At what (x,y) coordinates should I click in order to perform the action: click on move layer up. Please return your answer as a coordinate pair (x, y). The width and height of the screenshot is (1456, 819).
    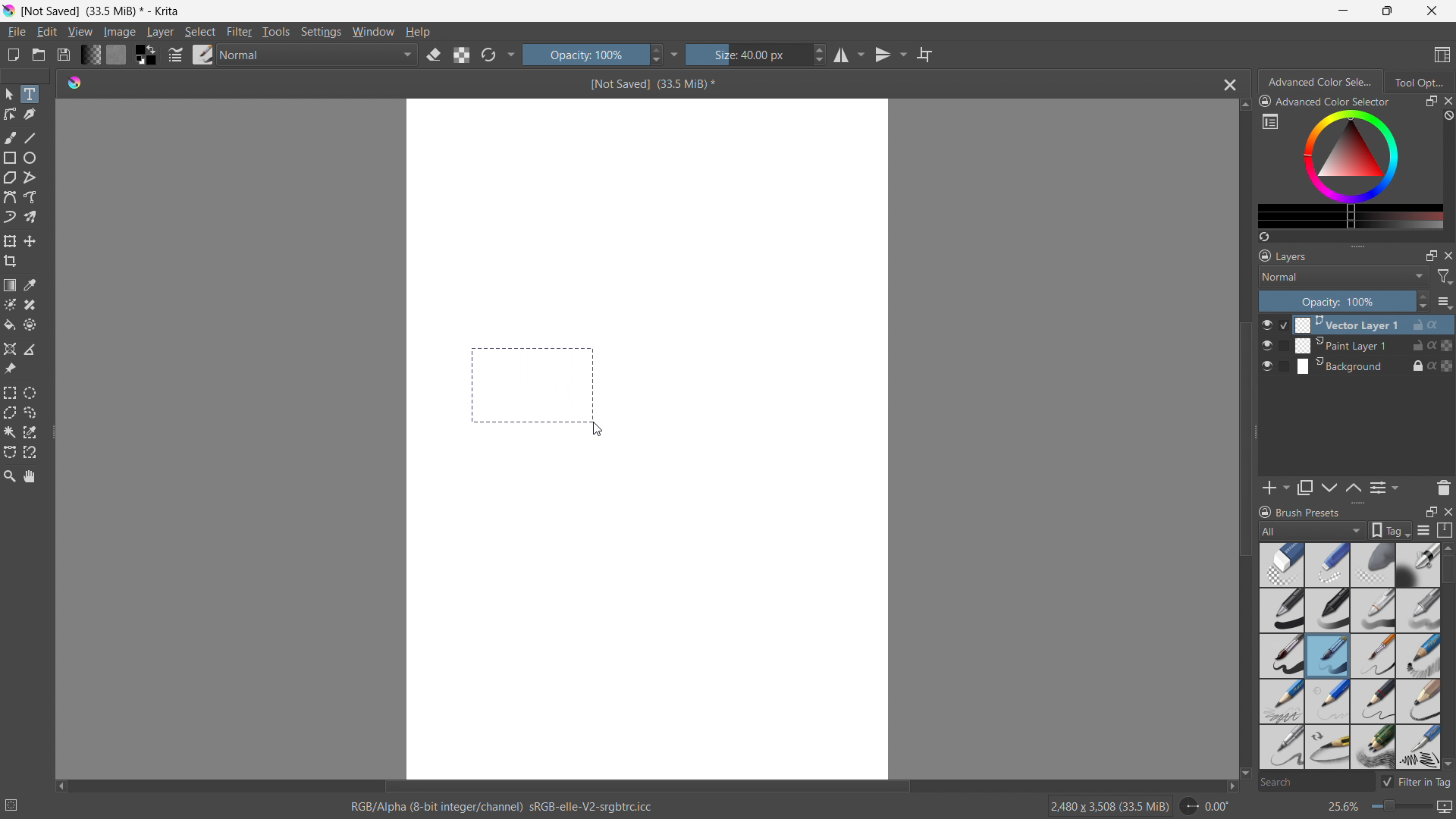
    Looking at the image, I should click on (1330, 488).